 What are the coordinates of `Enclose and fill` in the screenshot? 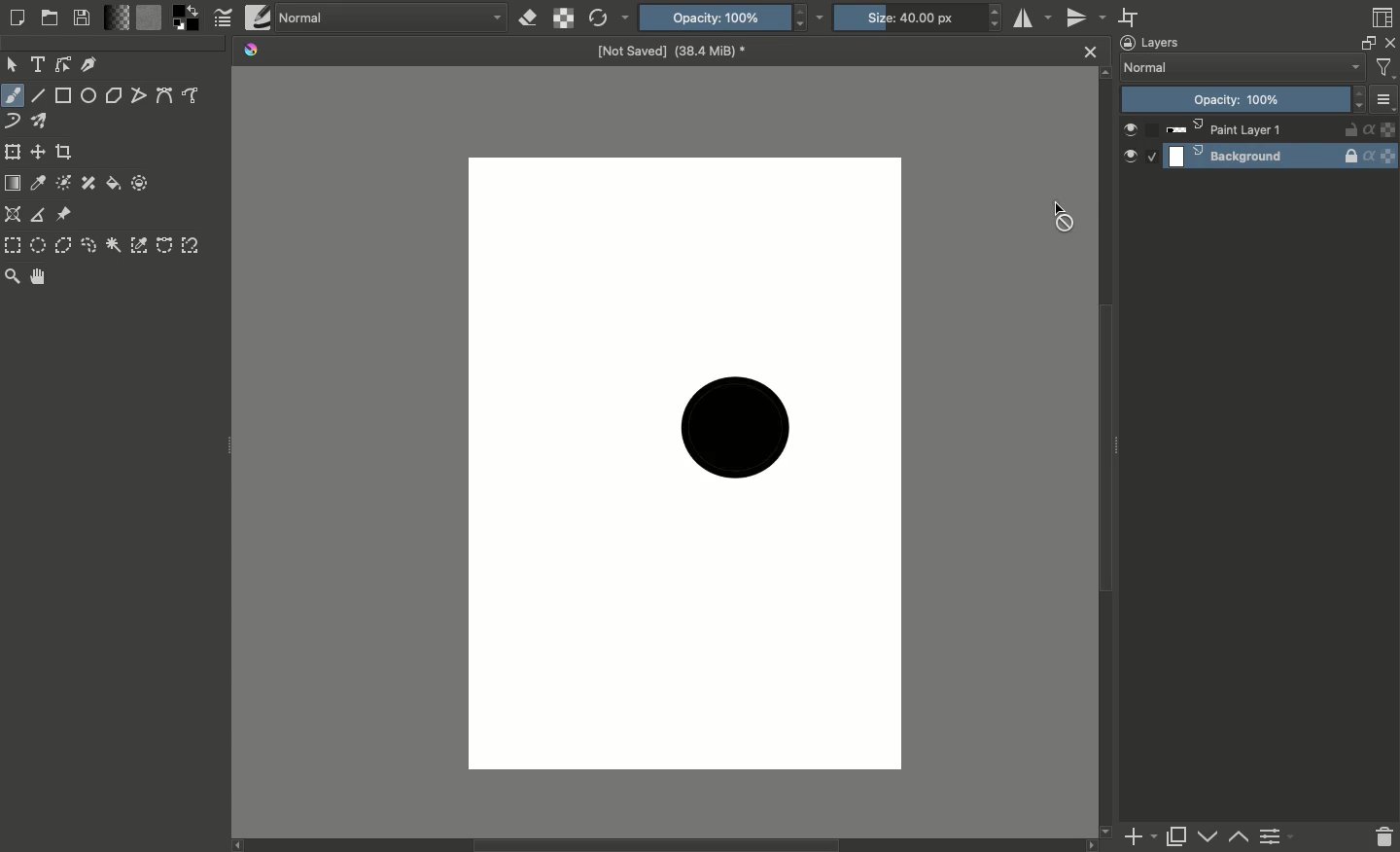 It's located at (140, 183).